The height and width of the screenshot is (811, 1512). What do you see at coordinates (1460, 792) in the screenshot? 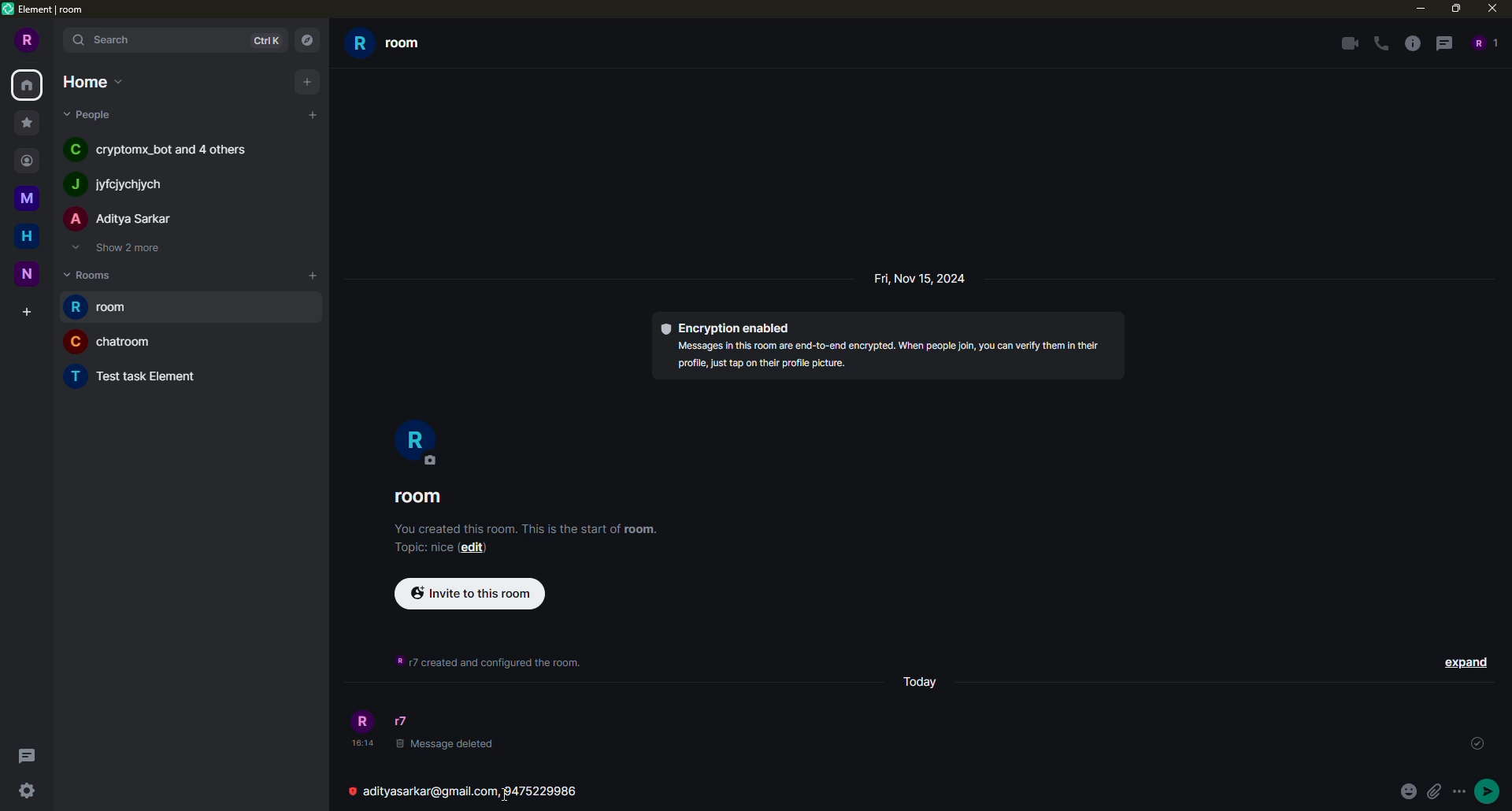
I see `more` at bounding box center [1460, 792].